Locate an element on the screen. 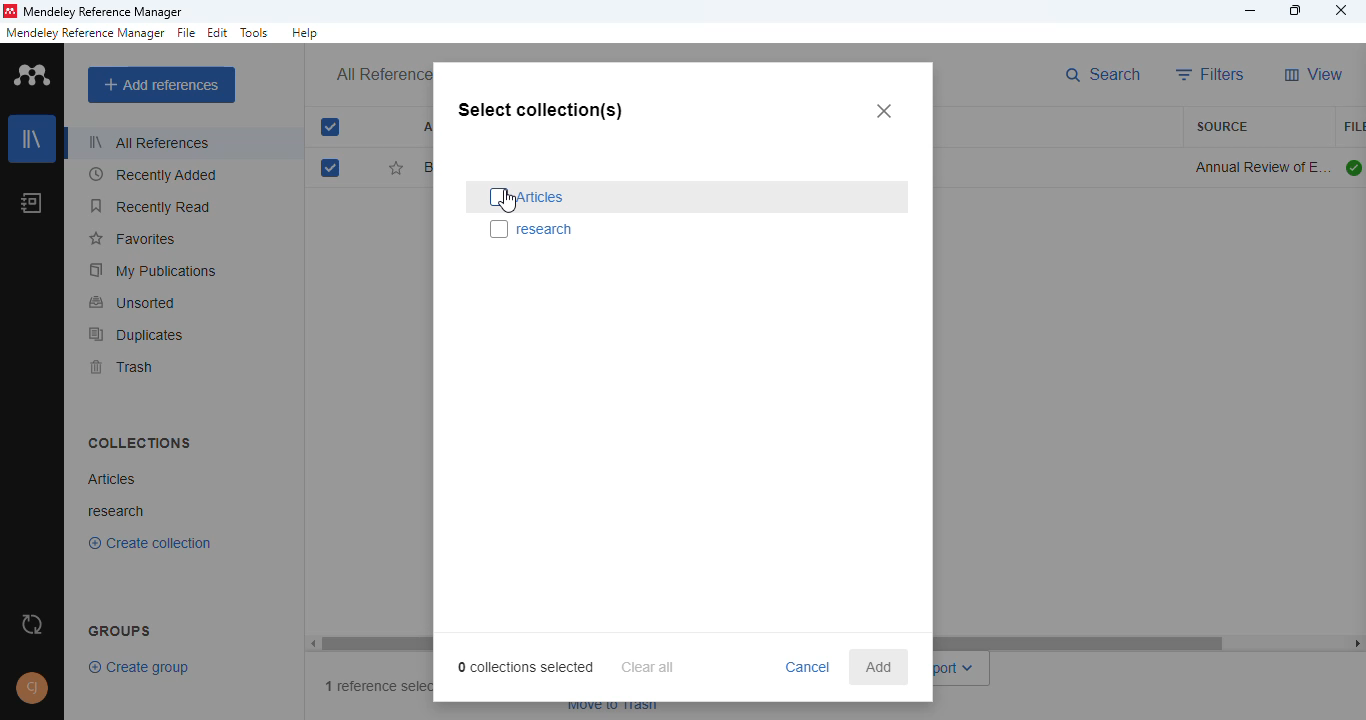 The height and width of the screenshot is (720, 1366). select is located at coordinates (498, 196).